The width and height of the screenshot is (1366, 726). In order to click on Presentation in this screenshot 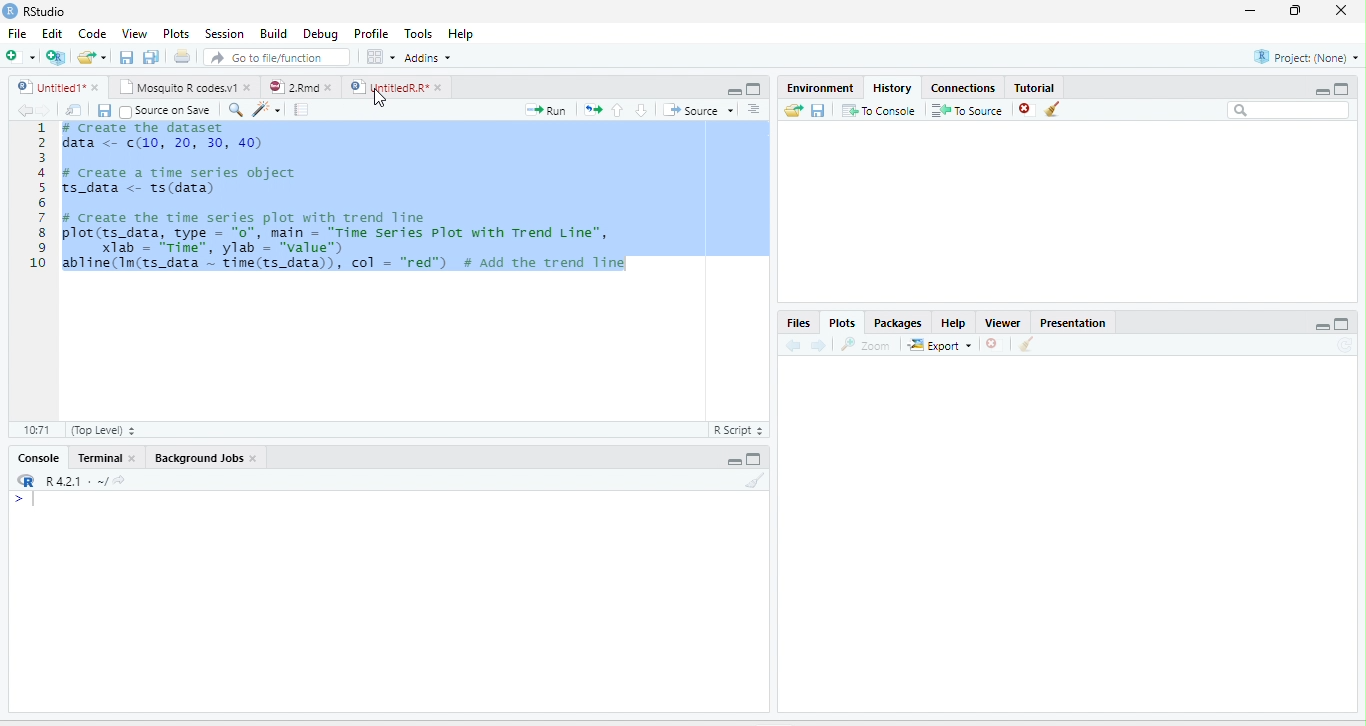, I will do `click(1073, 321)`.